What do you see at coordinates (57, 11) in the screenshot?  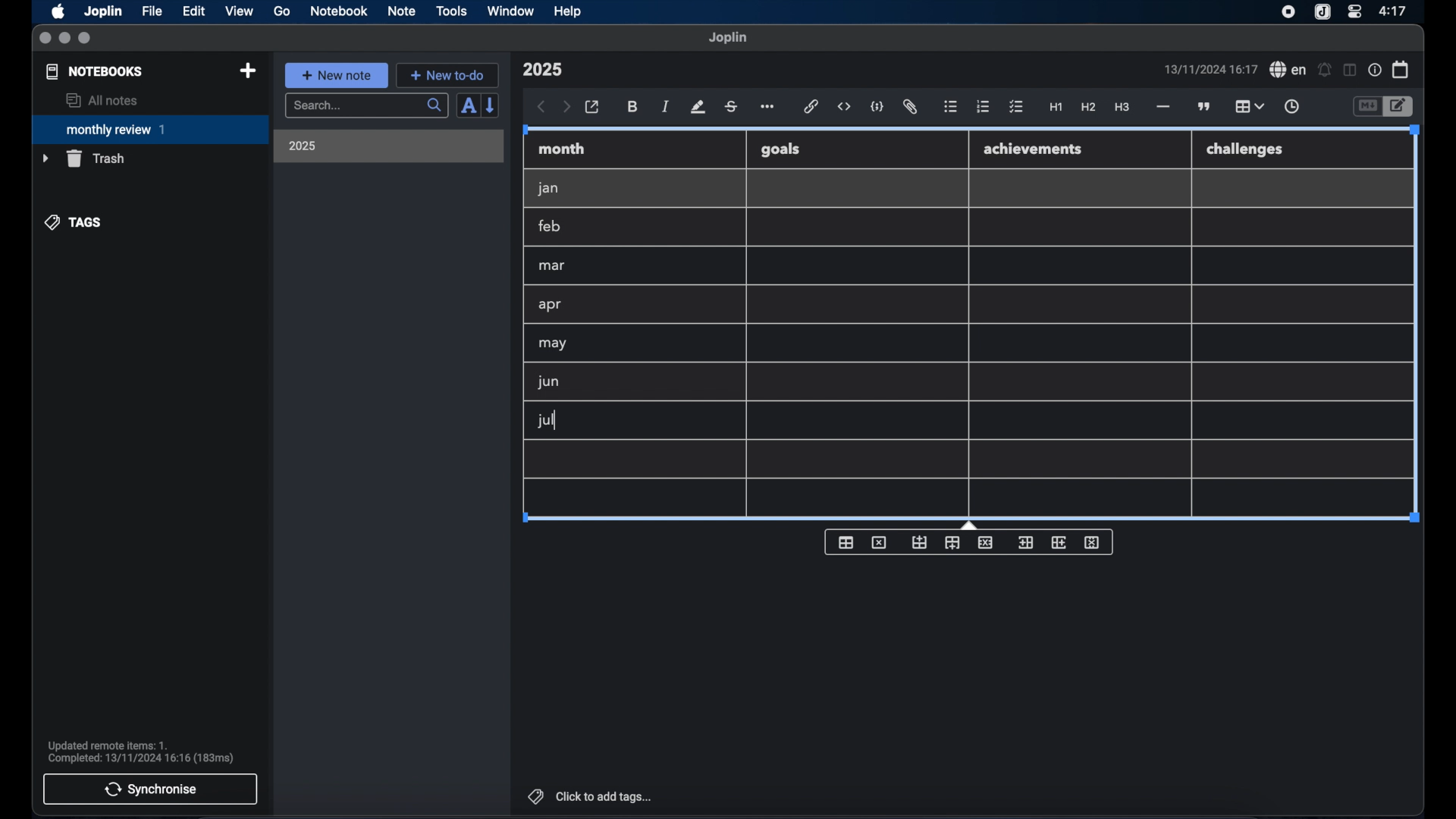 I see `apple icon` at bounding box center [57, 11].